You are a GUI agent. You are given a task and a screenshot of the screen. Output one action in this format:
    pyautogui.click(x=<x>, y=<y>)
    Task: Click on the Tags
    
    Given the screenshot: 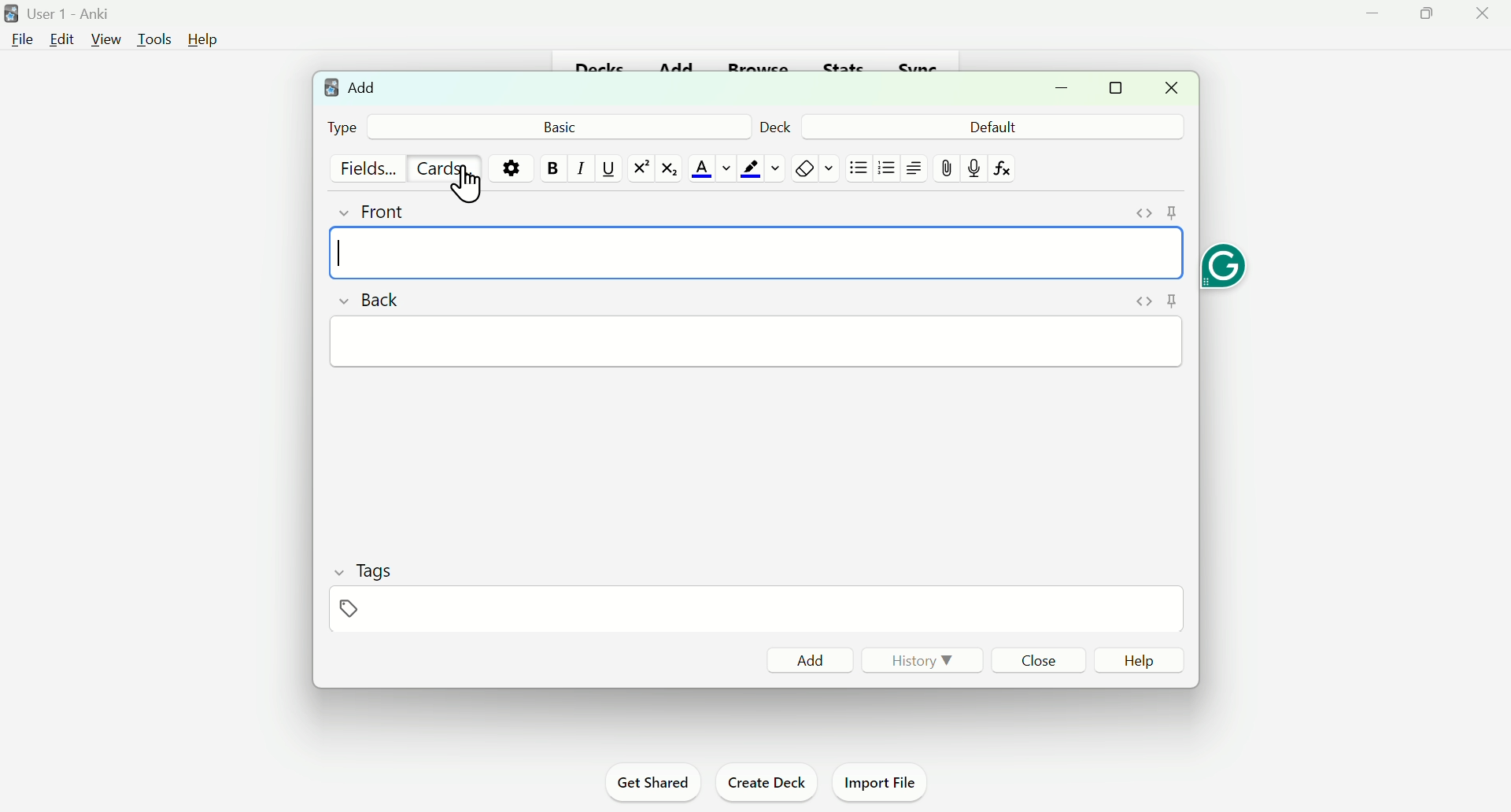 What is the action you would take?
    pyautogui.click(x=371, y=572)
    